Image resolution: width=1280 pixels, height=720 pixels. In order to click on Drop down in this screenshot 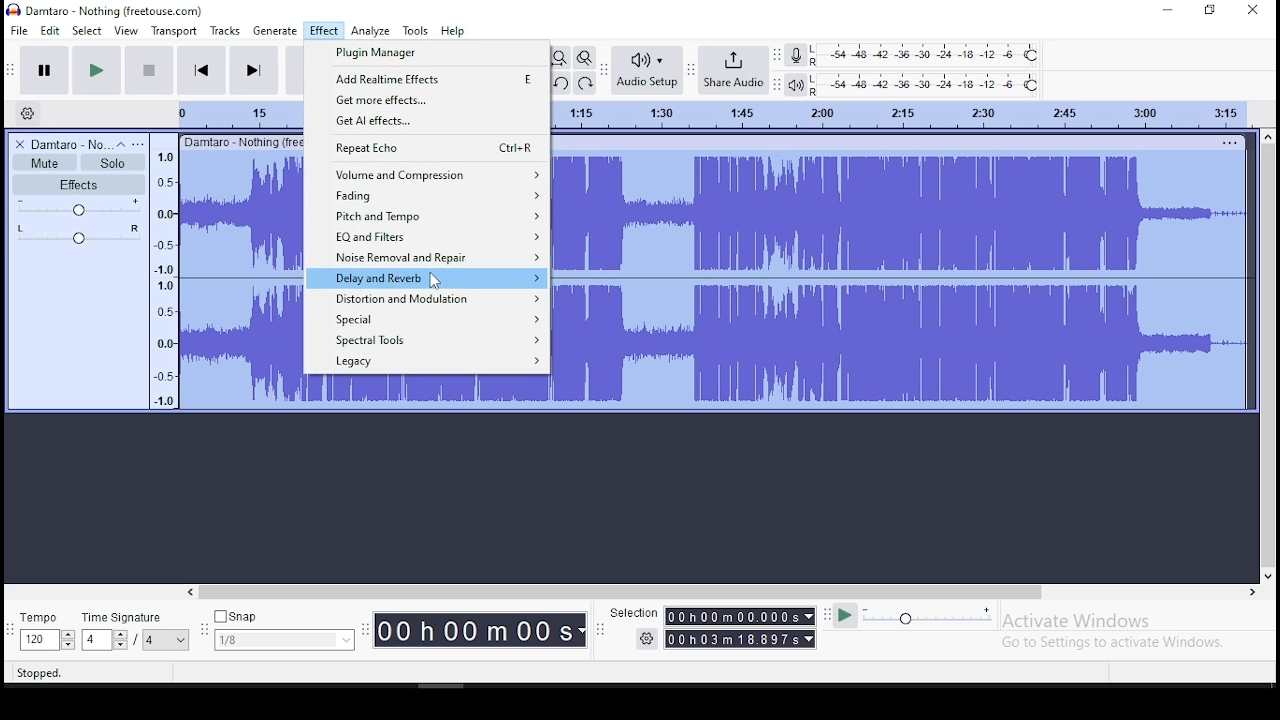, I will do `click(345, 638)`.